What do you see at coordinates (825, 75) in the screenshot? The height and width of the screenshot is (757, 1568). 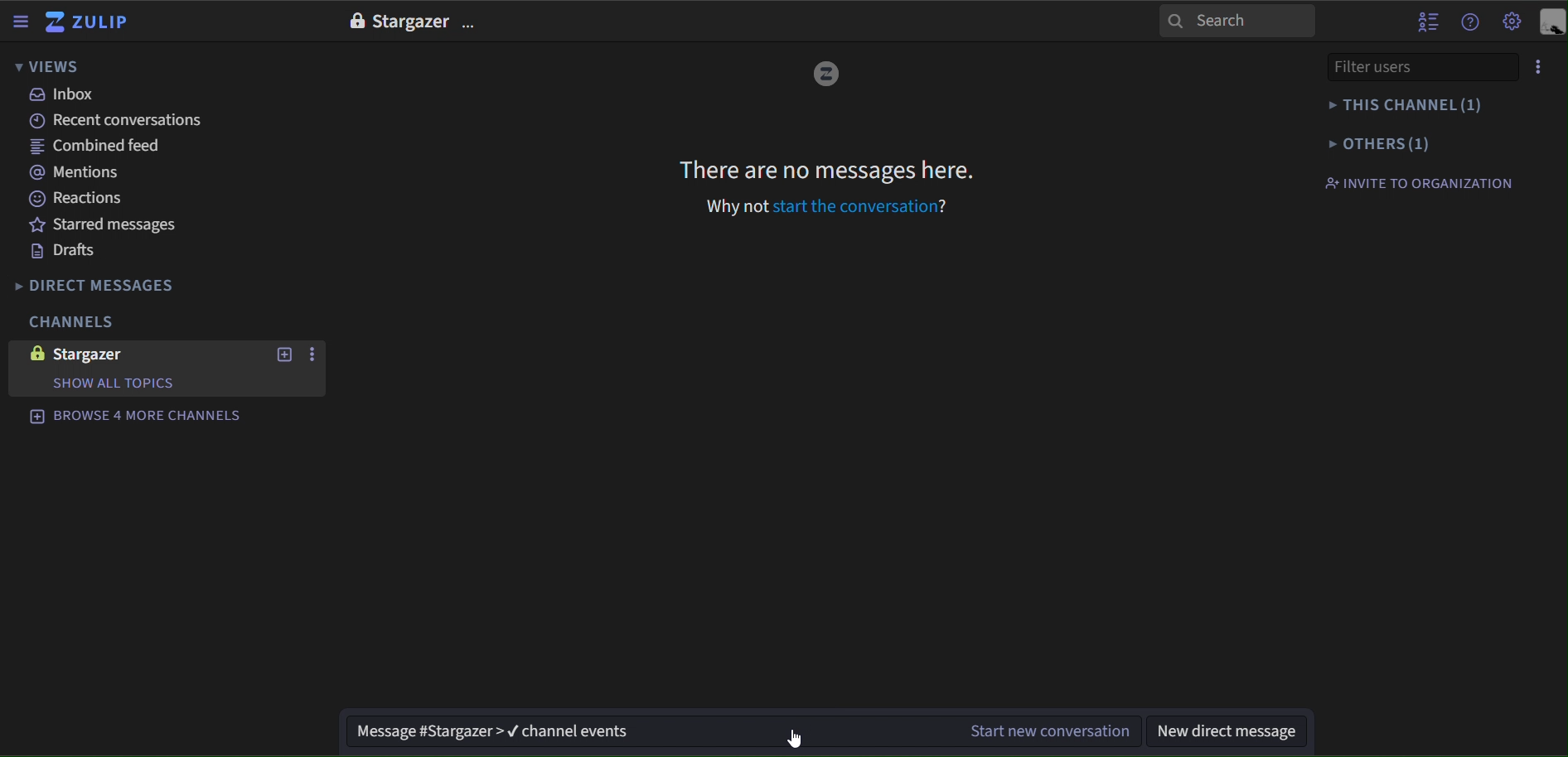 I see `image` at bounding box center [825, 75].